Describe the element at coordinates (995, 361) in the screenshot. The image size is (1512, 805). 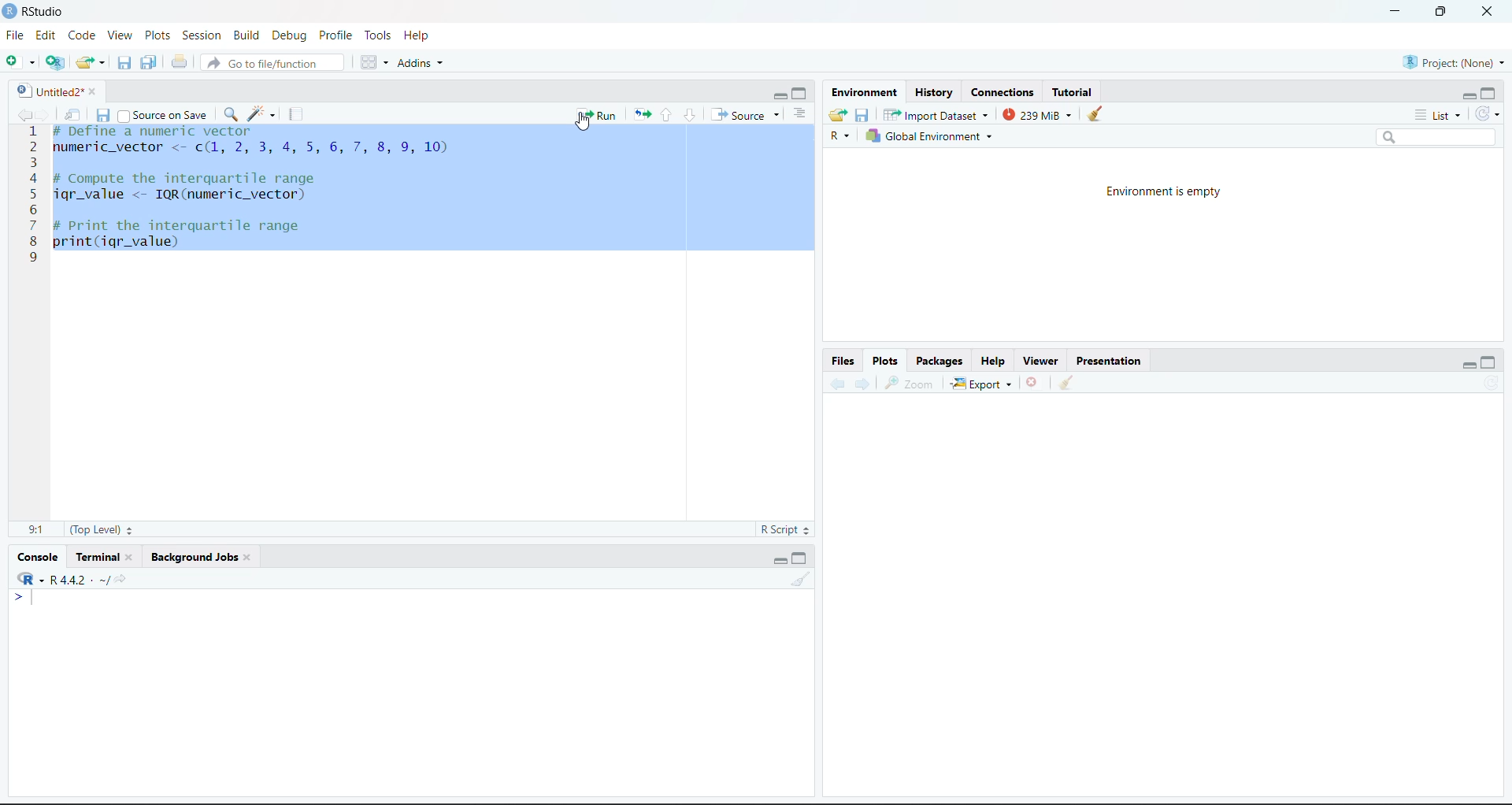
I see `Help` at that location.